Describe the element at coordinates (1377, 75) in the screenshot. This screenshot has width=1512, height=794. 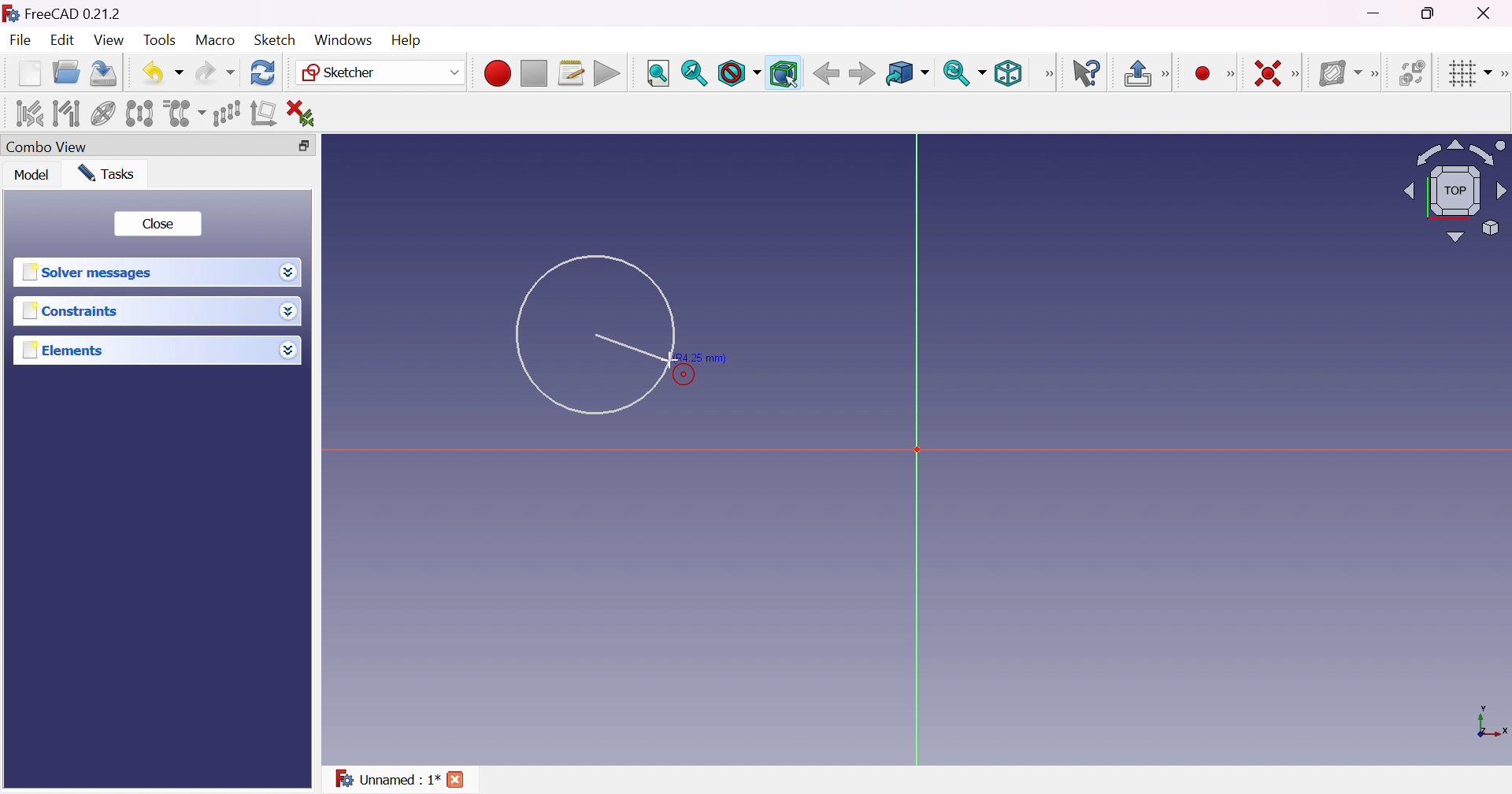
I see `Sketcher -spline tools` at that location.